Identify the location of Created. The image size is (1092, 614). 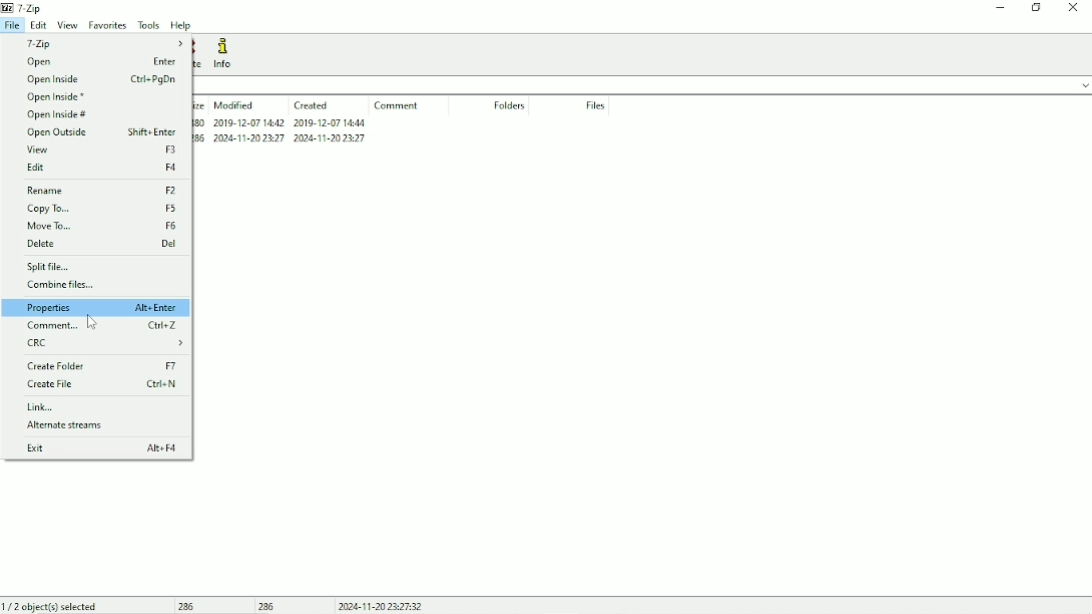
(312, 106).